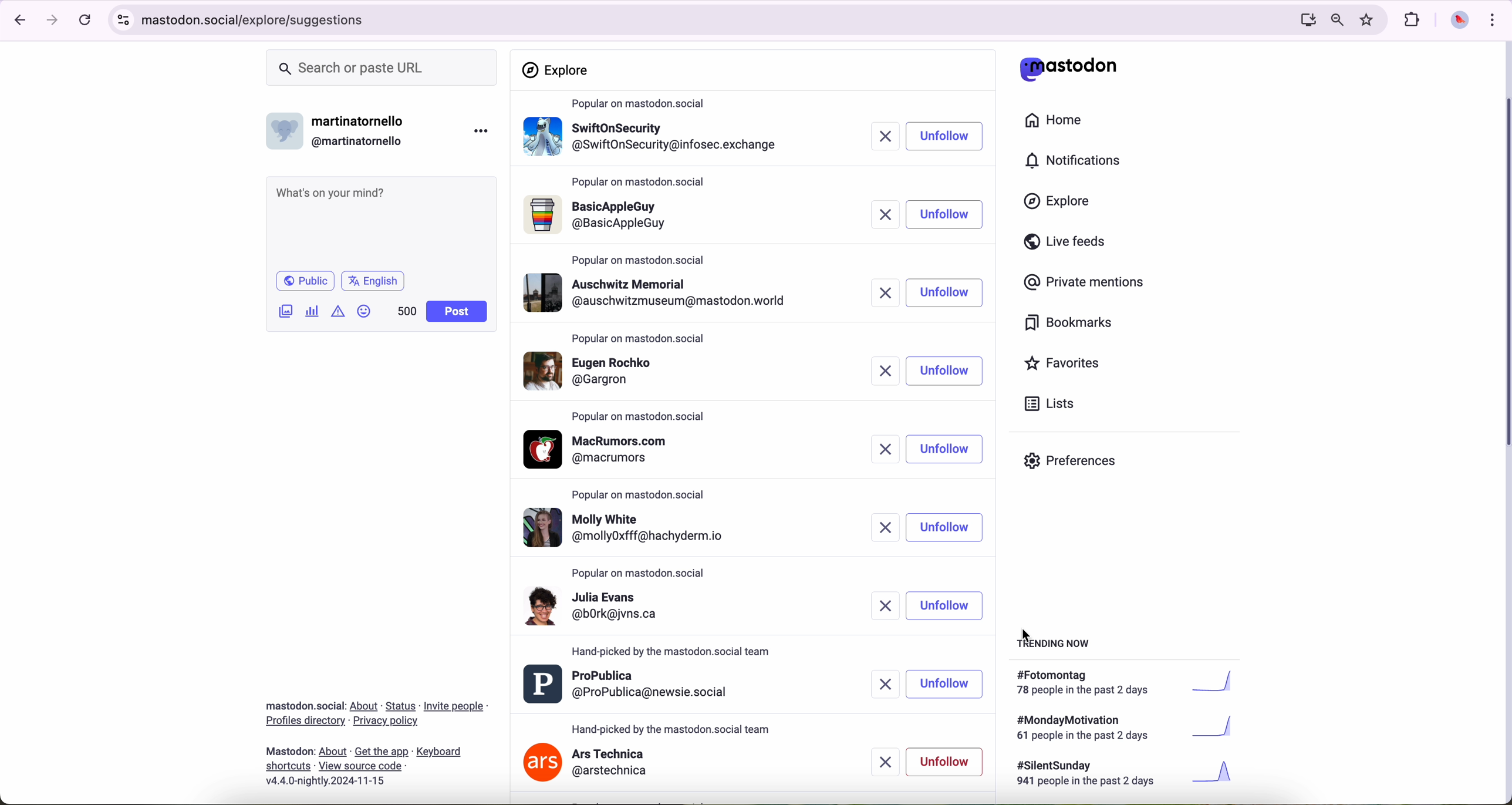  What do you see at coordinates (124, 20) in the screenshot?
I see `controls` at bounding box center [124, 20].